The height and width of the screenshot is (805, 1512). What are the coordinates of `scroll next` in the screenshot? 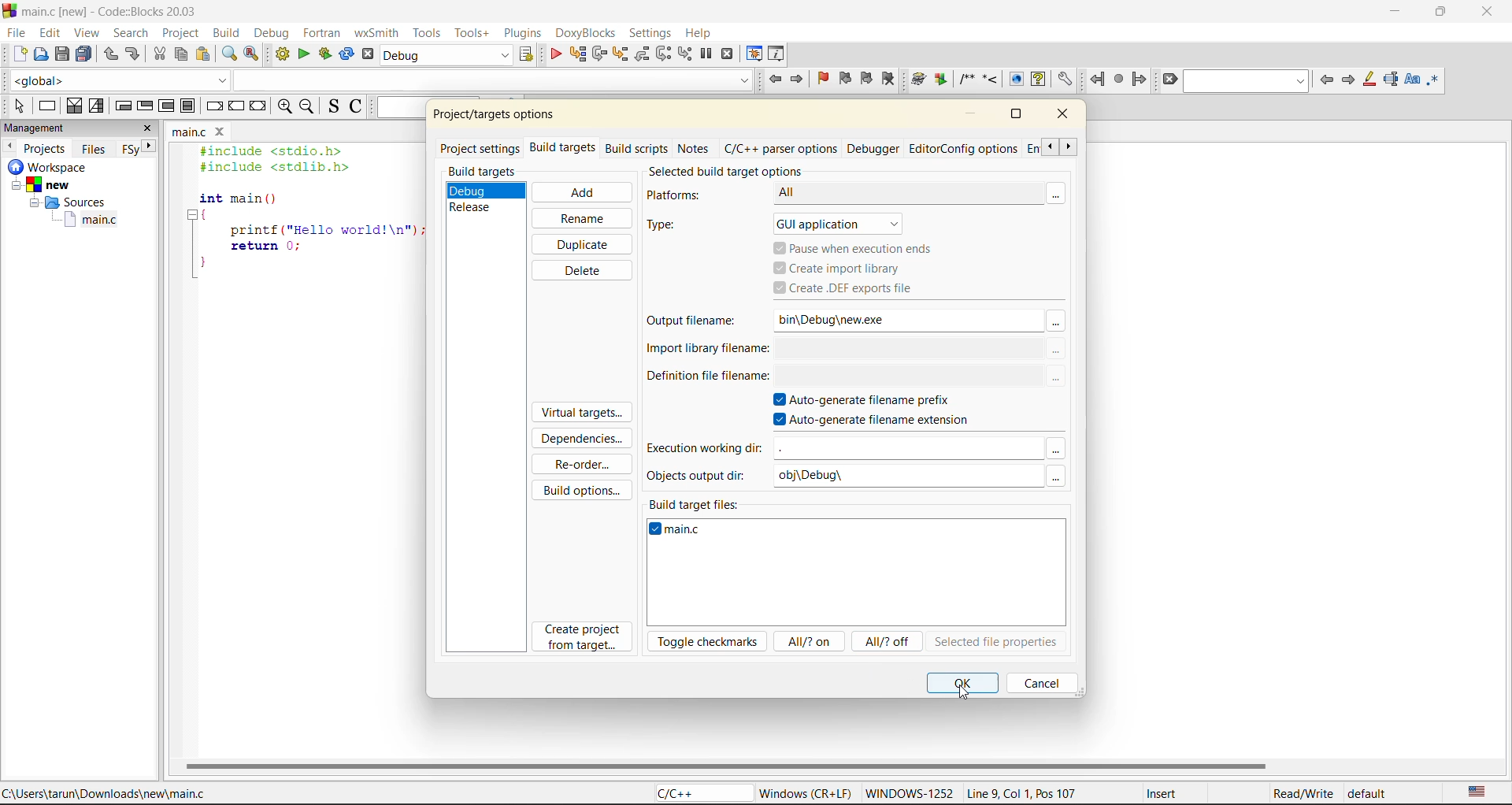 It's located at (1070, 146).